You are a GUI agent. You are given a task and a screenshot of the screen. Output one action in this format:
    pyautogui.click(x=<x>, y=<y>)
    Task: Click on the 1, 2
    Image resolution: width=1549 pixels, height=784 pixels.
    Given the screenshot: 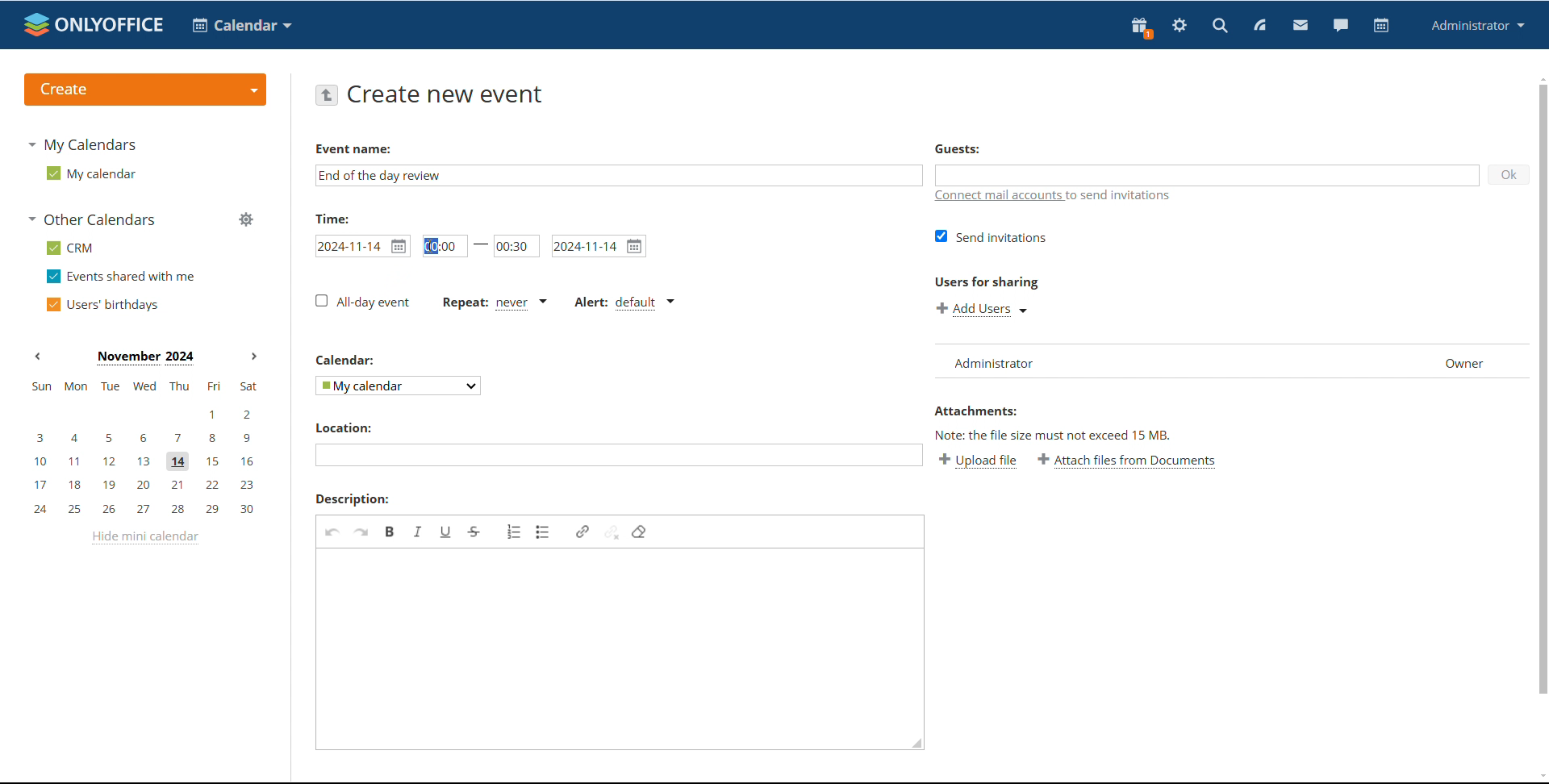 What is the action you would take?
    pyautogui.click(x=142, y=415)
    